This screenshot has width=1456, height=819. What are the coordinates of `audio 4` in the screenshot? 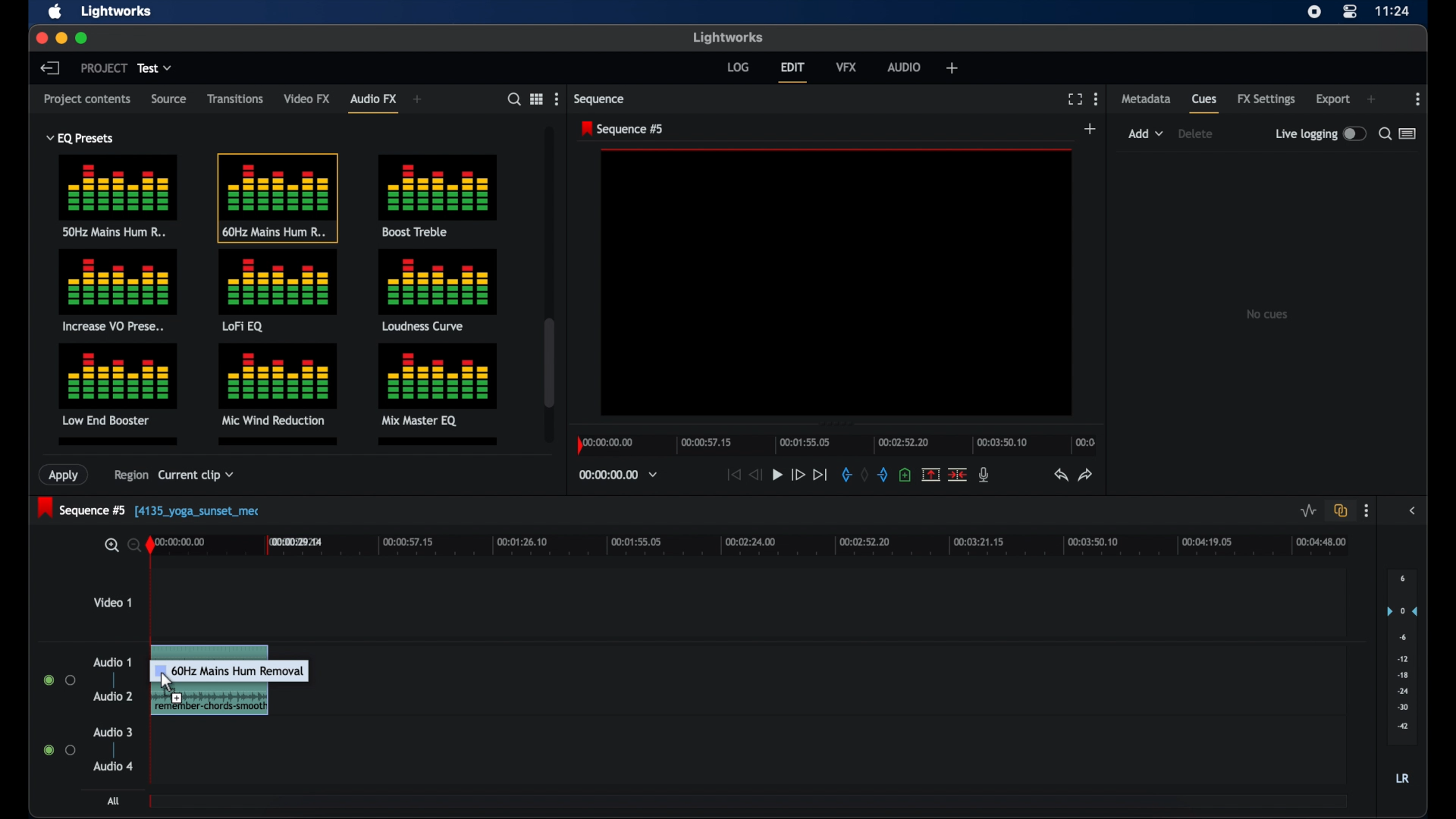 It's located at (114, 766).